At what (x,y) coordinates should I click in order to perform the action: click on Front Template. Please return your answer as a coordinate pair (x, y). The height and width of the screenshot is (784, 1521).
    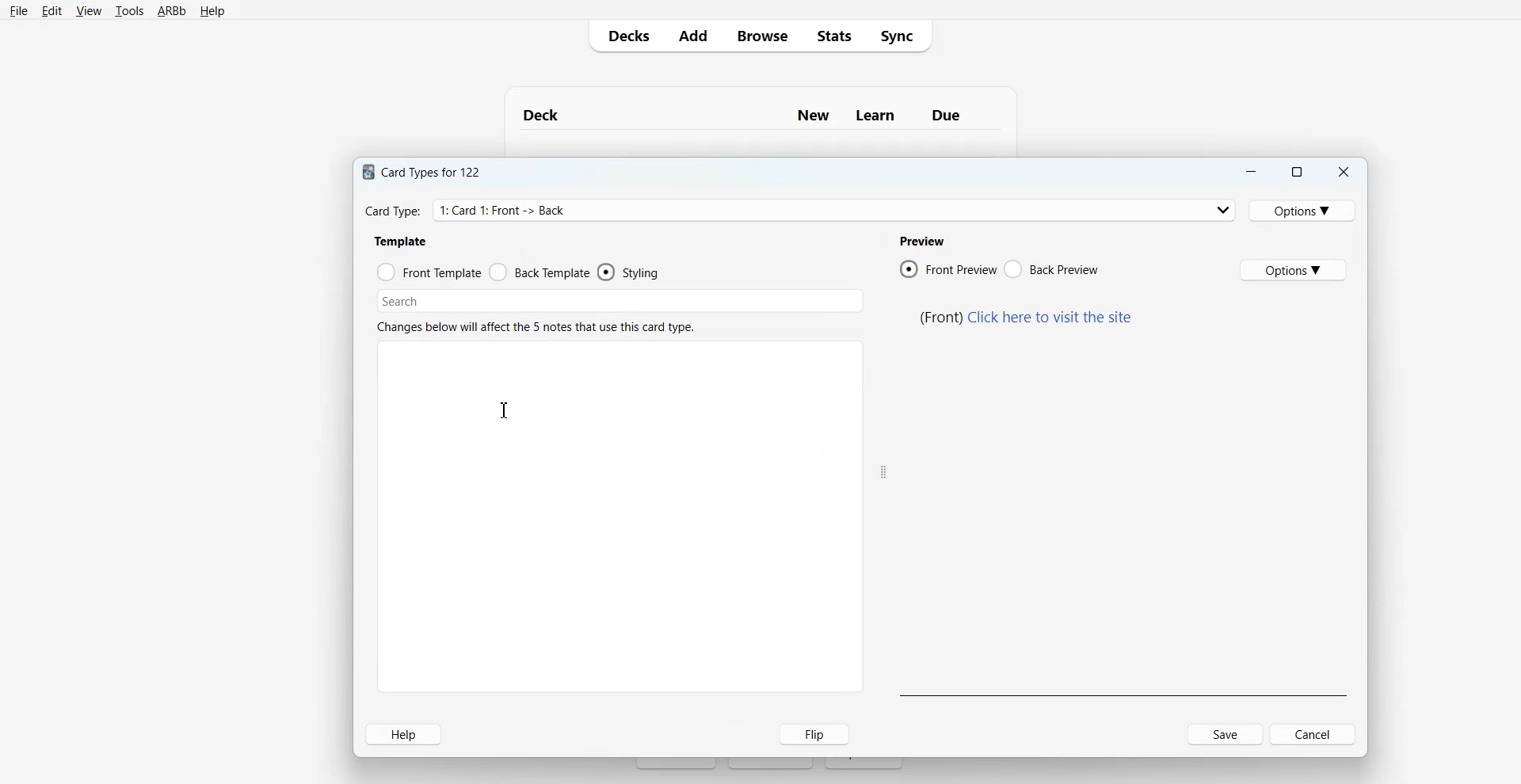
    Looking at the image, I should click on (429, 271).